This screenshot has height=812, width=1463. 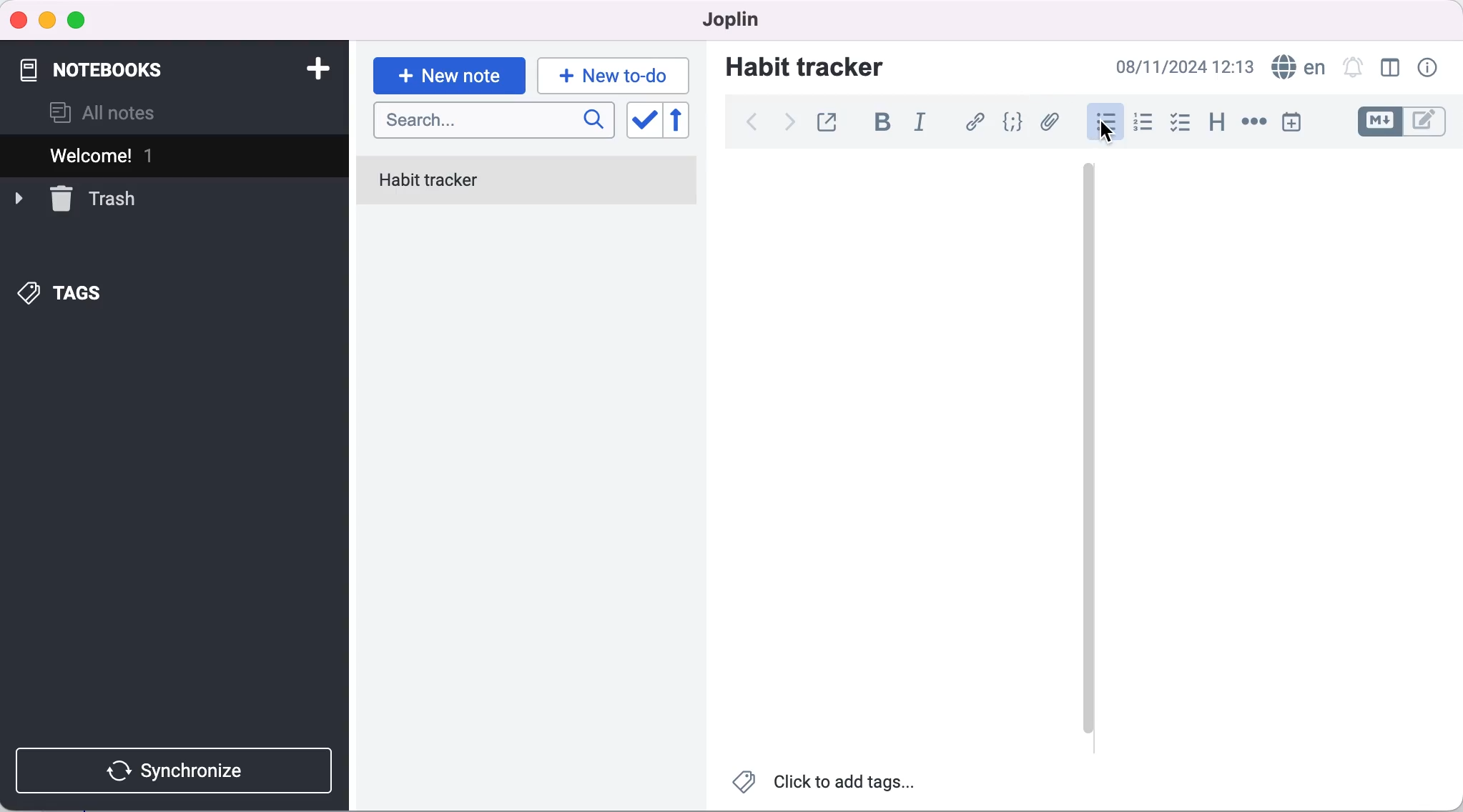 I want to click on habit tracker, so click(x=804, y=66).